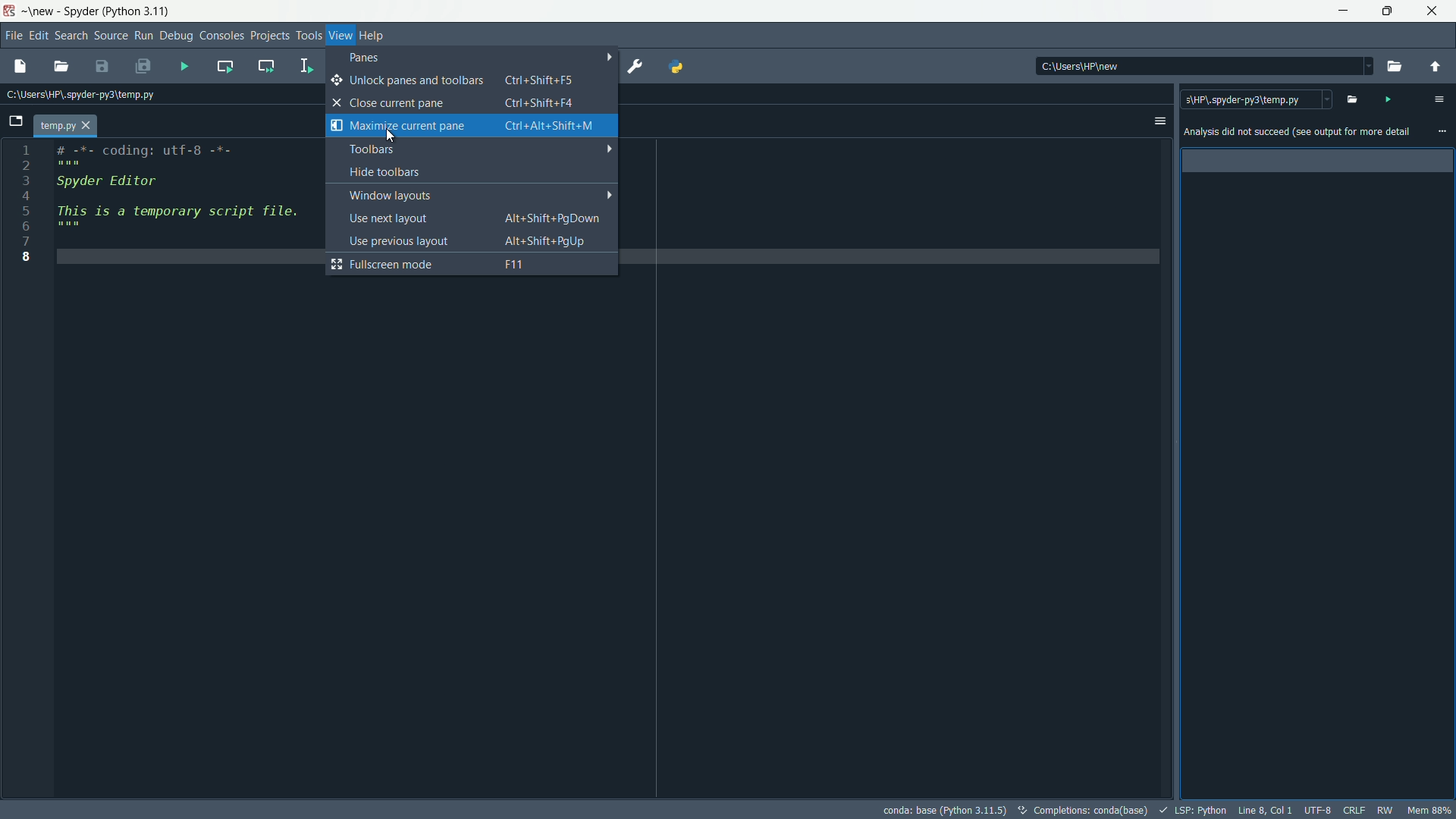 The width and height of the screenshot is (1456, 819). What do you see at coordinates (20, 67) in the screenshot?
I see `new file` at bounding box center [20, 67].